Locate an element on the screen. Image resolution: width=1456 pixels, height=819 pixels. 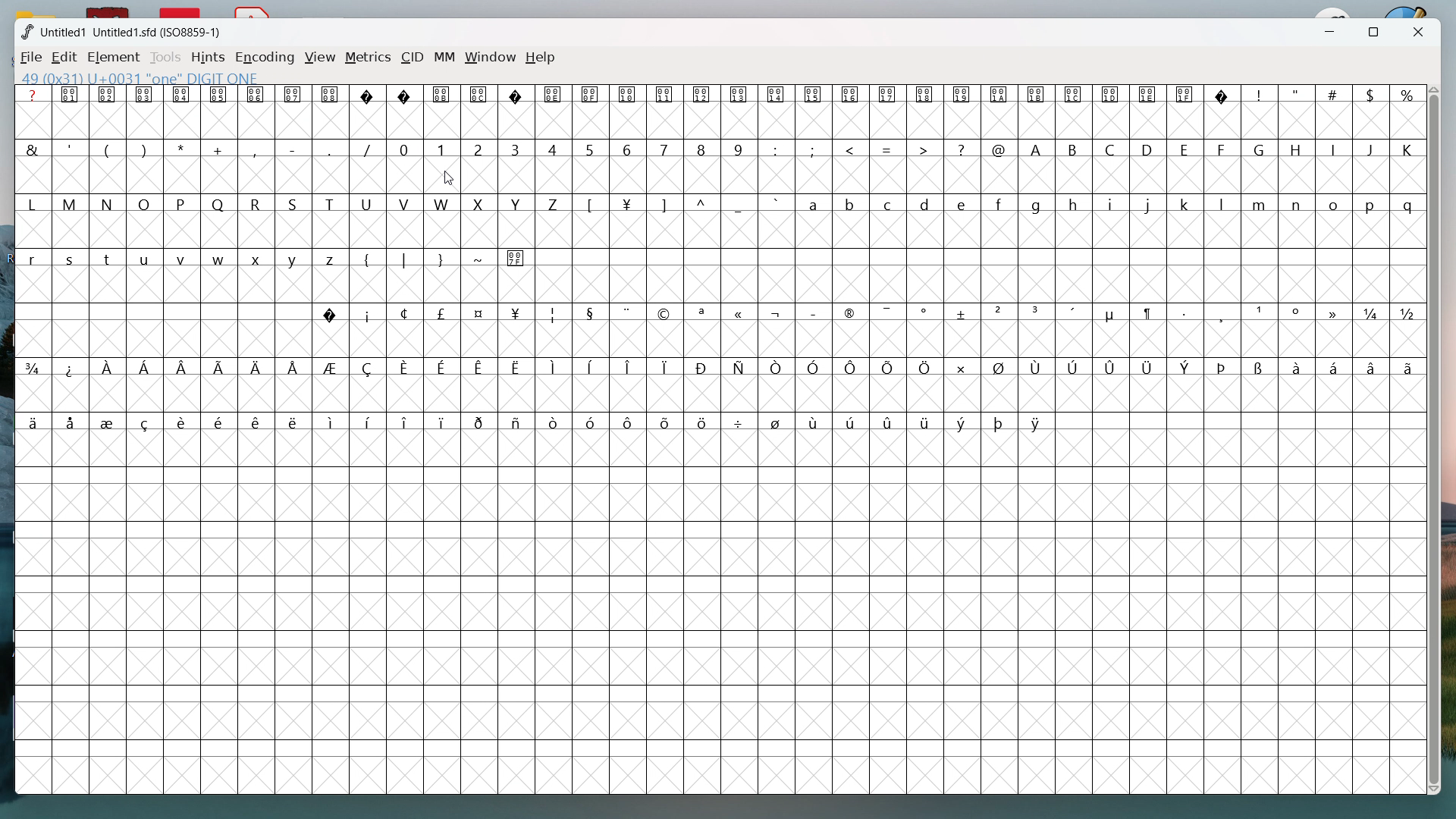
metrics is located at coordinates (369, 58).